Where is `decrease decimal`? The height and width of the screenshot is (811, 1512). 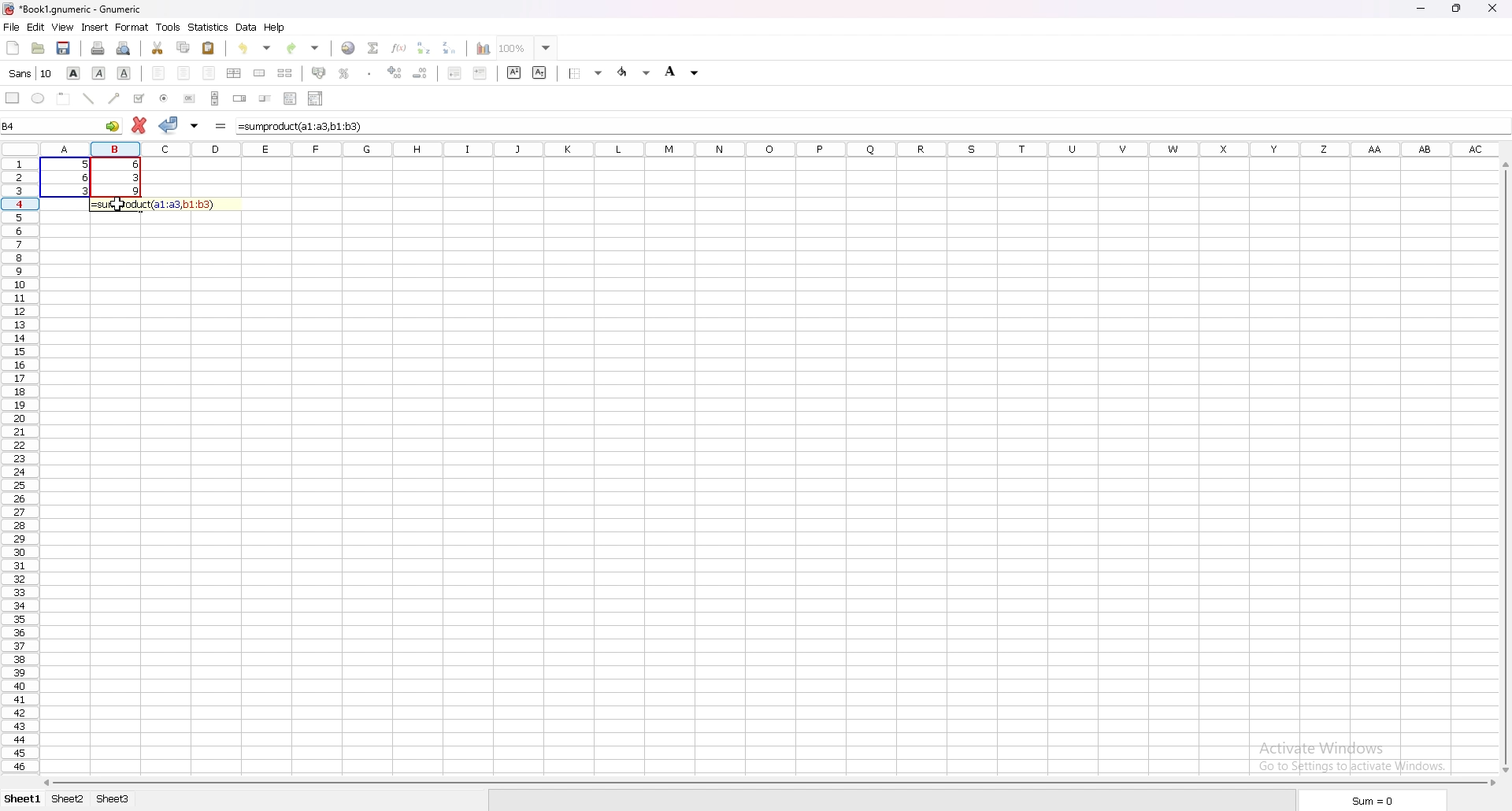
decrease decimal is located at coordinates (421, 72).